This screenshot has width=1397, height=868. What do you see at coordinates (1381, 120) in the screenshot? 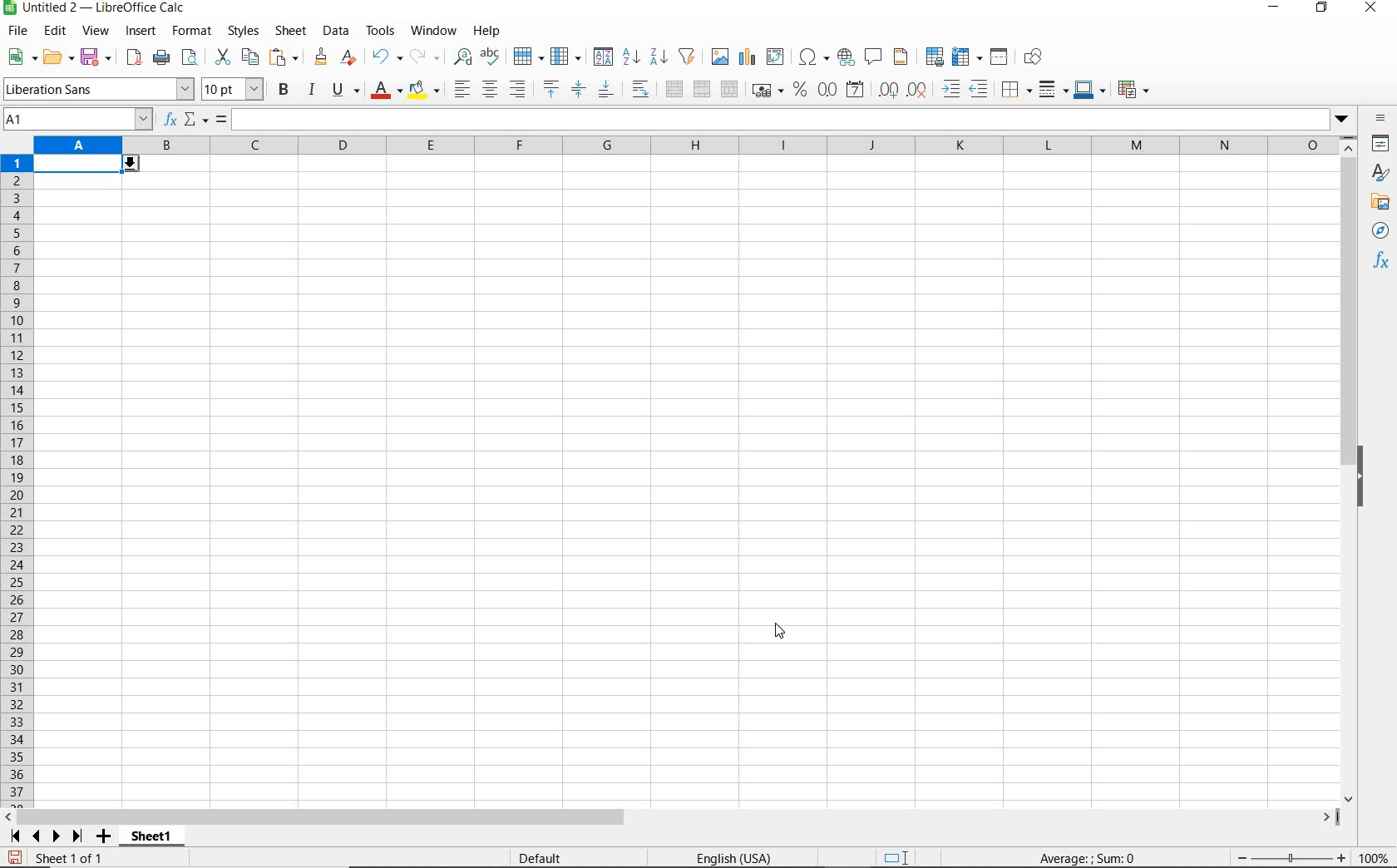
I see `sidebar settings` at bounding box center [1381, 120].